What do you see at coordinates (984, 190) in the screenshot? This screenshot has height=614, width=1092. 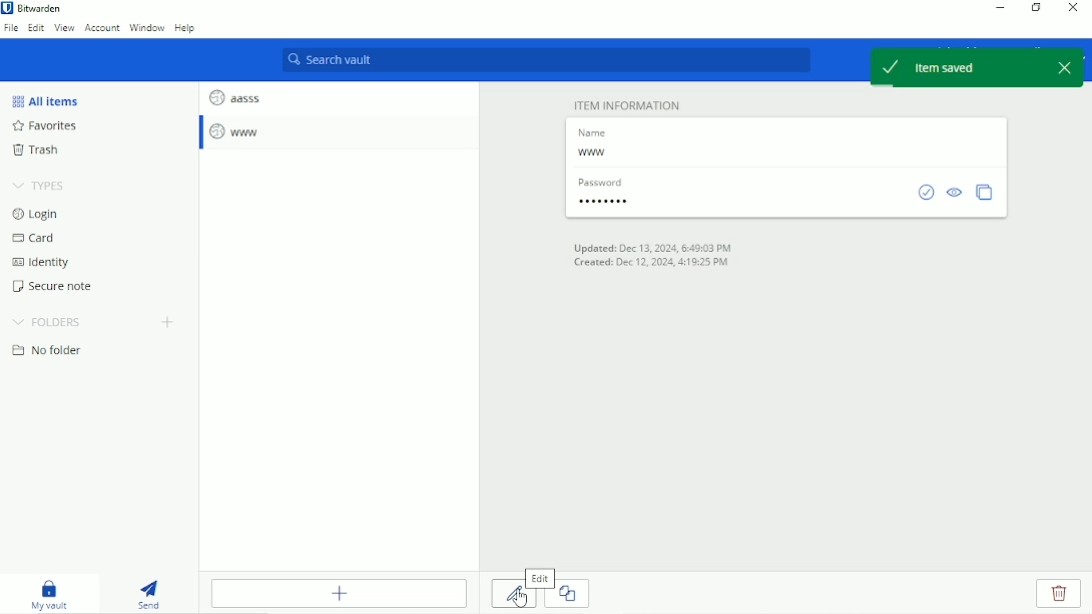 I see `Copy password` at bounding box center [984, 190].